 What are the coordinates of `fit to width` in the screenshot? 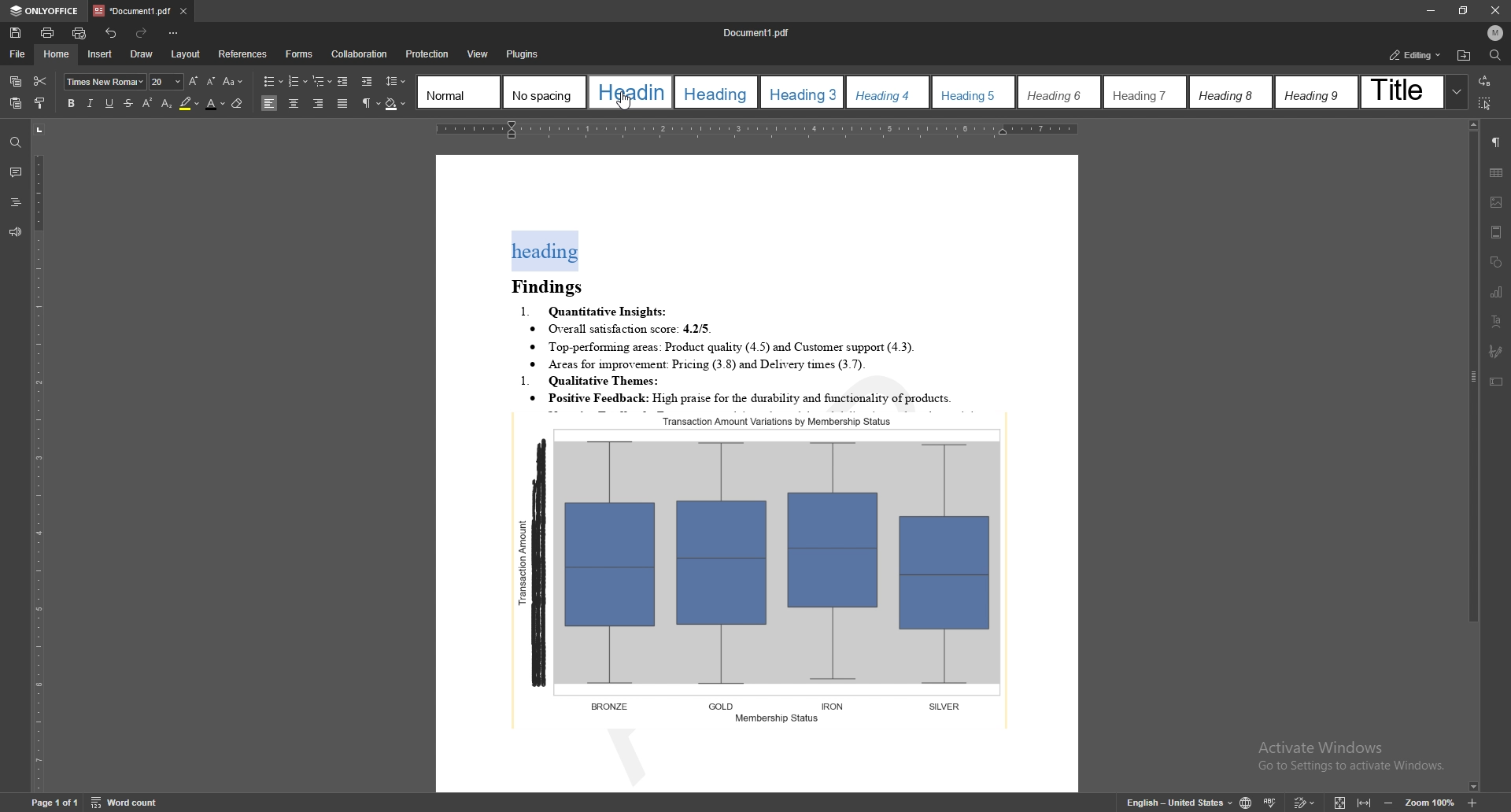 It's located at (1364, 804).